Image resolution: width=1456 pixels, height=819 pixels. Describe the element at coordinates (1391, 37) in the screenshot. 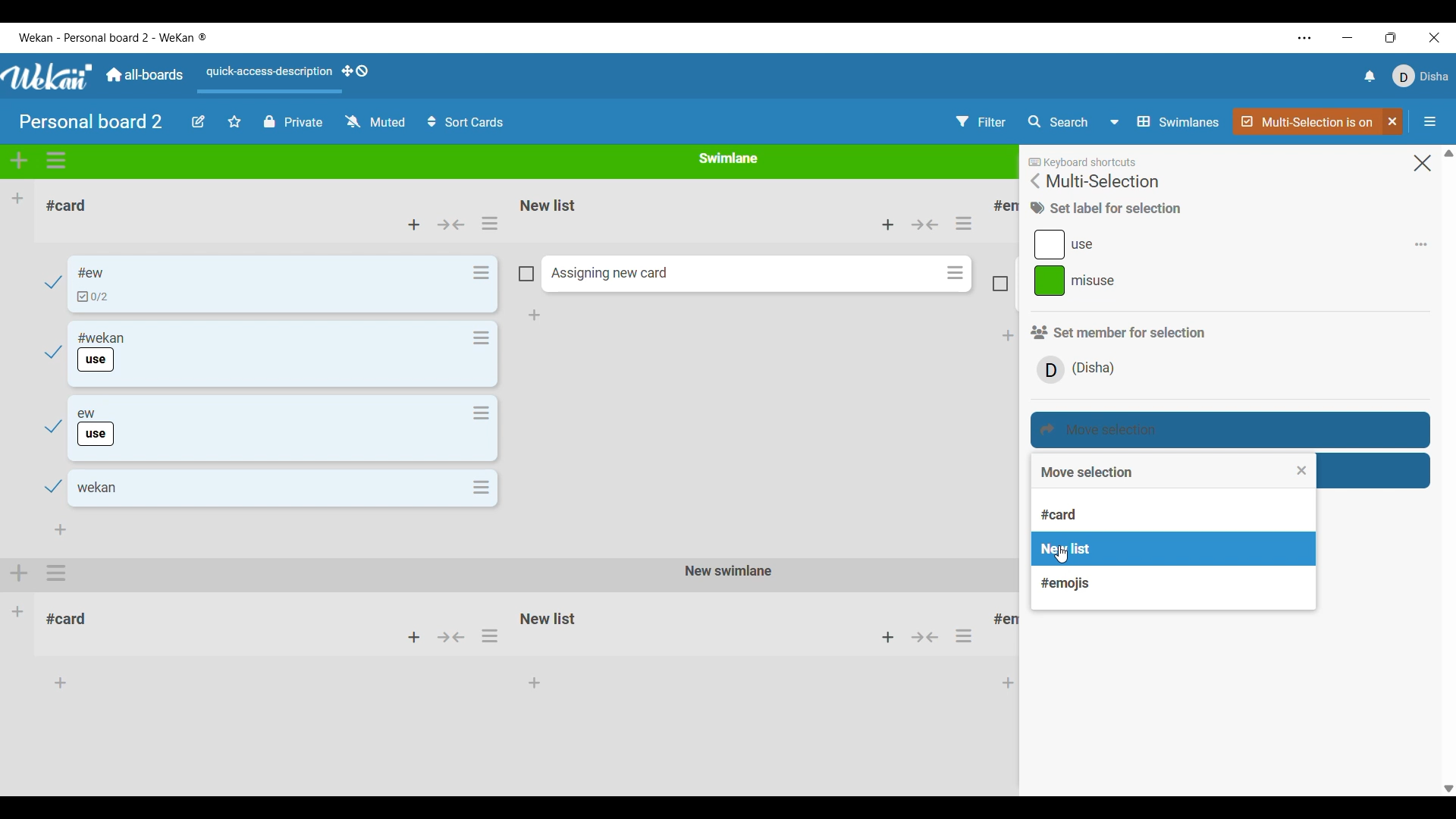

I see `Change tab size` at that location.